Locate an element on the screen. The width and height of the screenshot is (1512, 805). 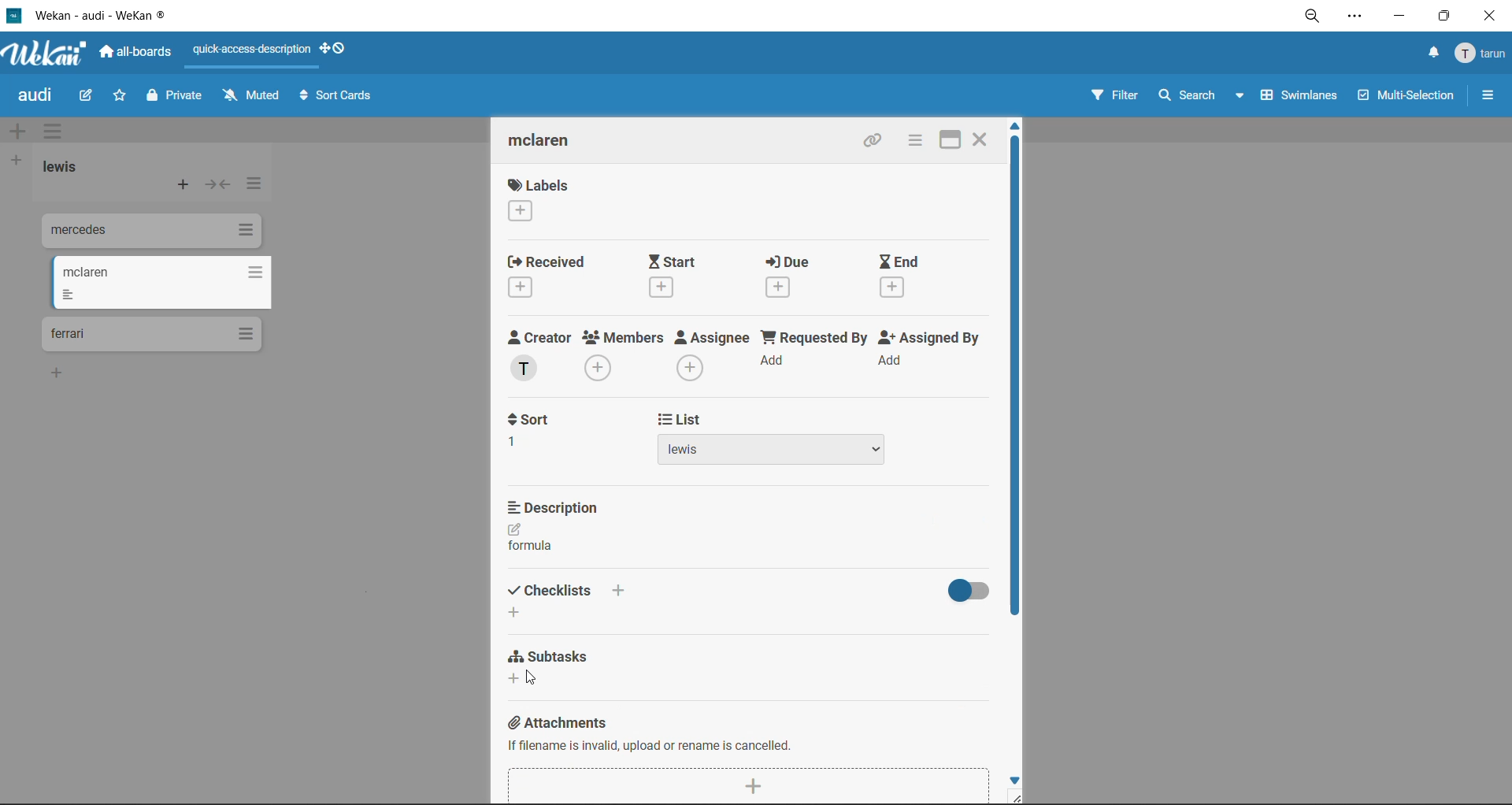
zoom is located at coordinates (1312, 17).